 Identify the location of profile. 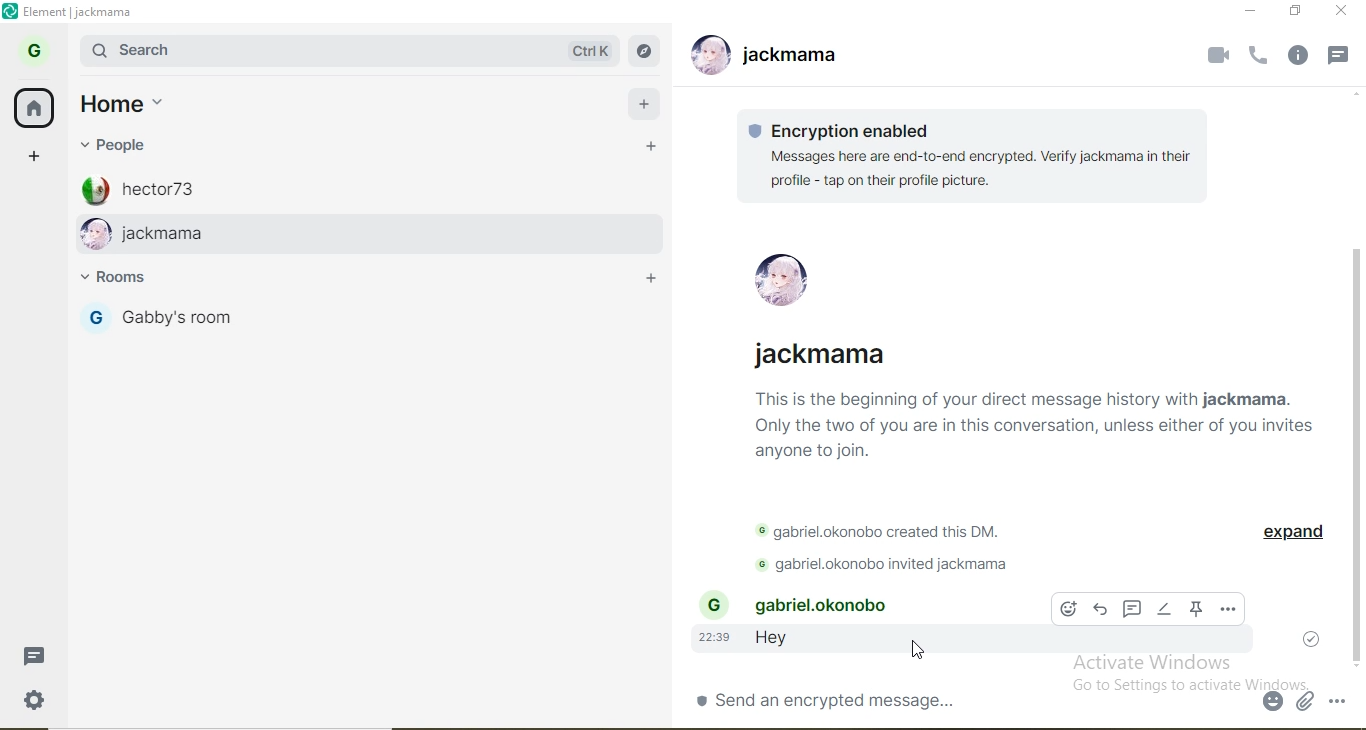
(95, 320).